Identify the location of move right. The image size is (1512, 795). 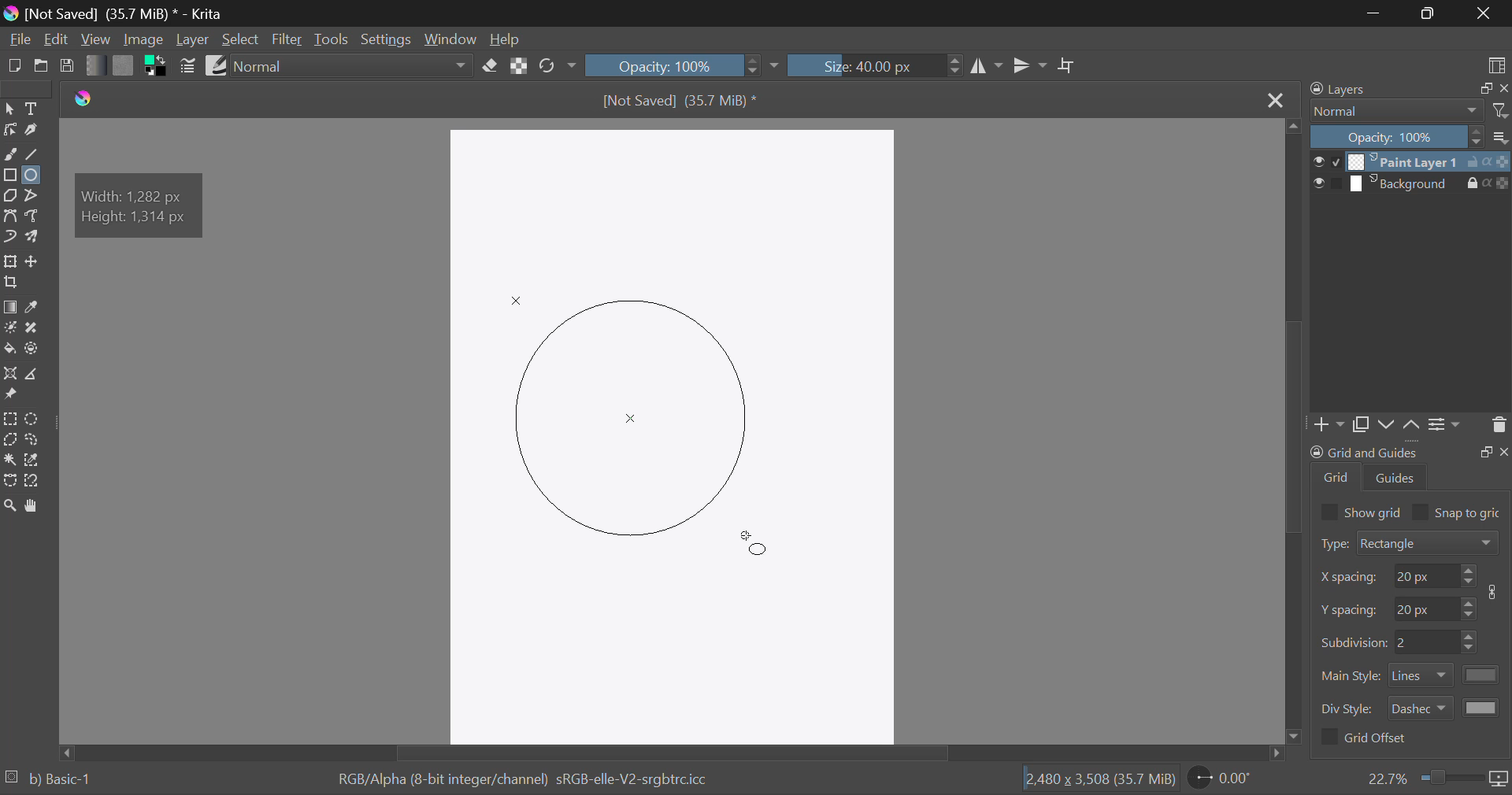
(1270, 753).